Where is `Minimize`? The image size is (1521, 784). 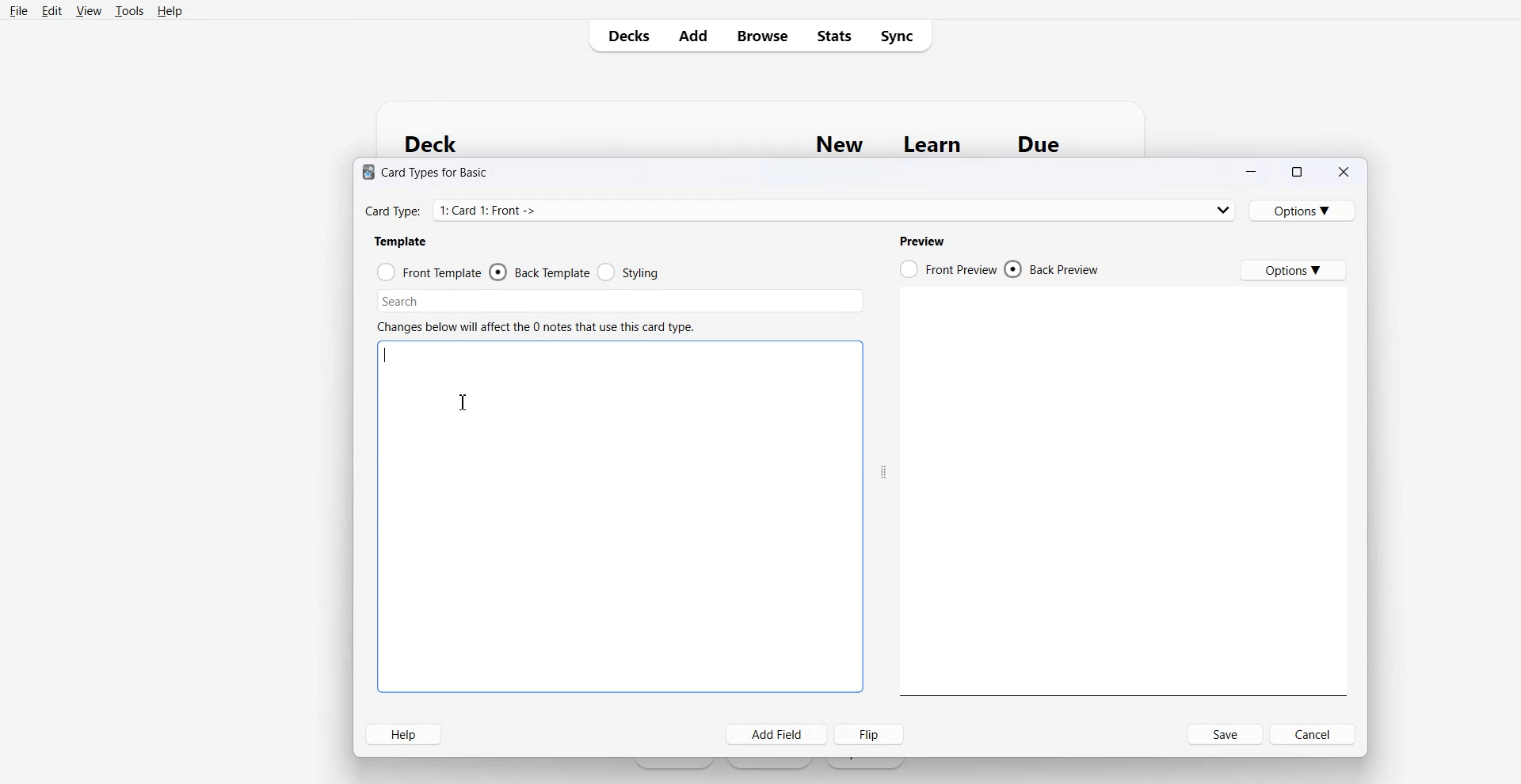 Minimize is located at coordinates (1253, 173).